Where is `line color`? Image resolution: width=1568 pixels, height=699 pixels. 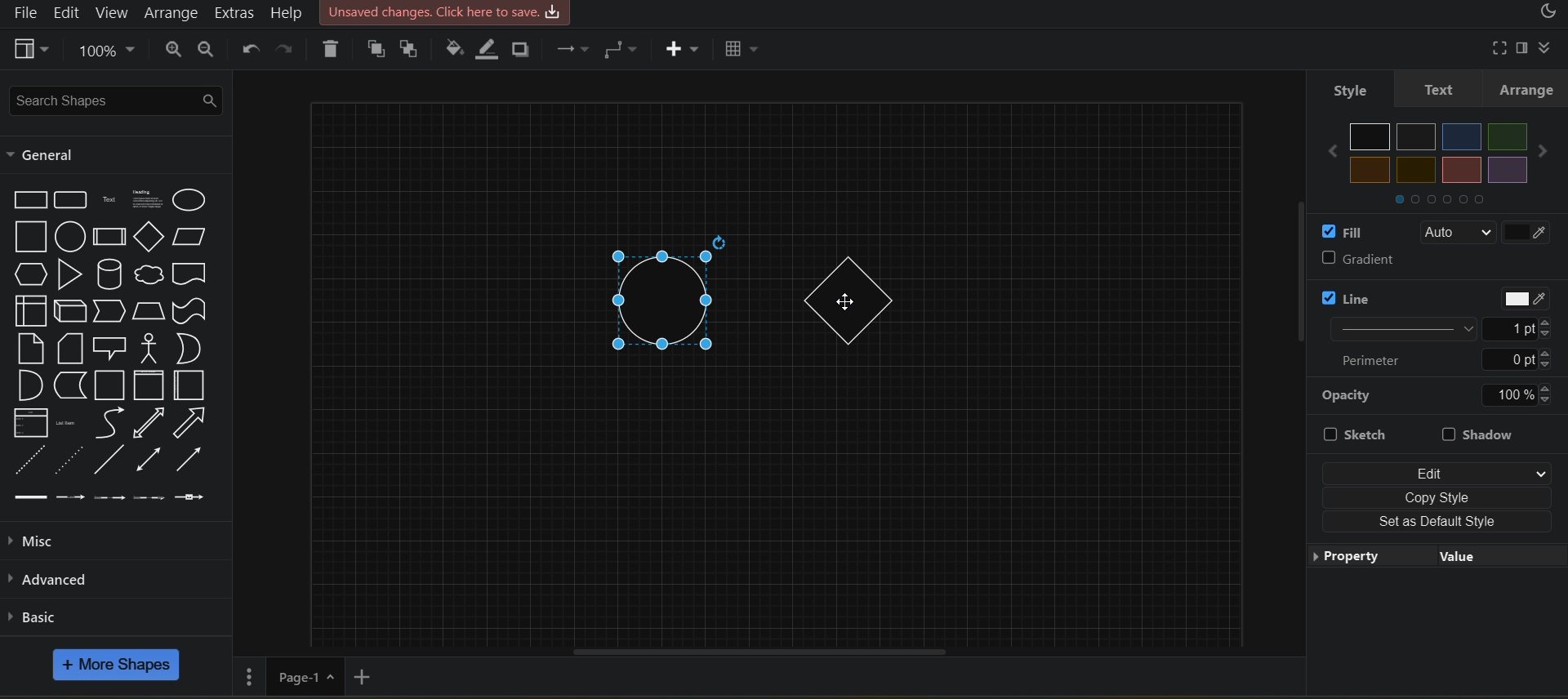 line color is located at coordinates (490, 49).